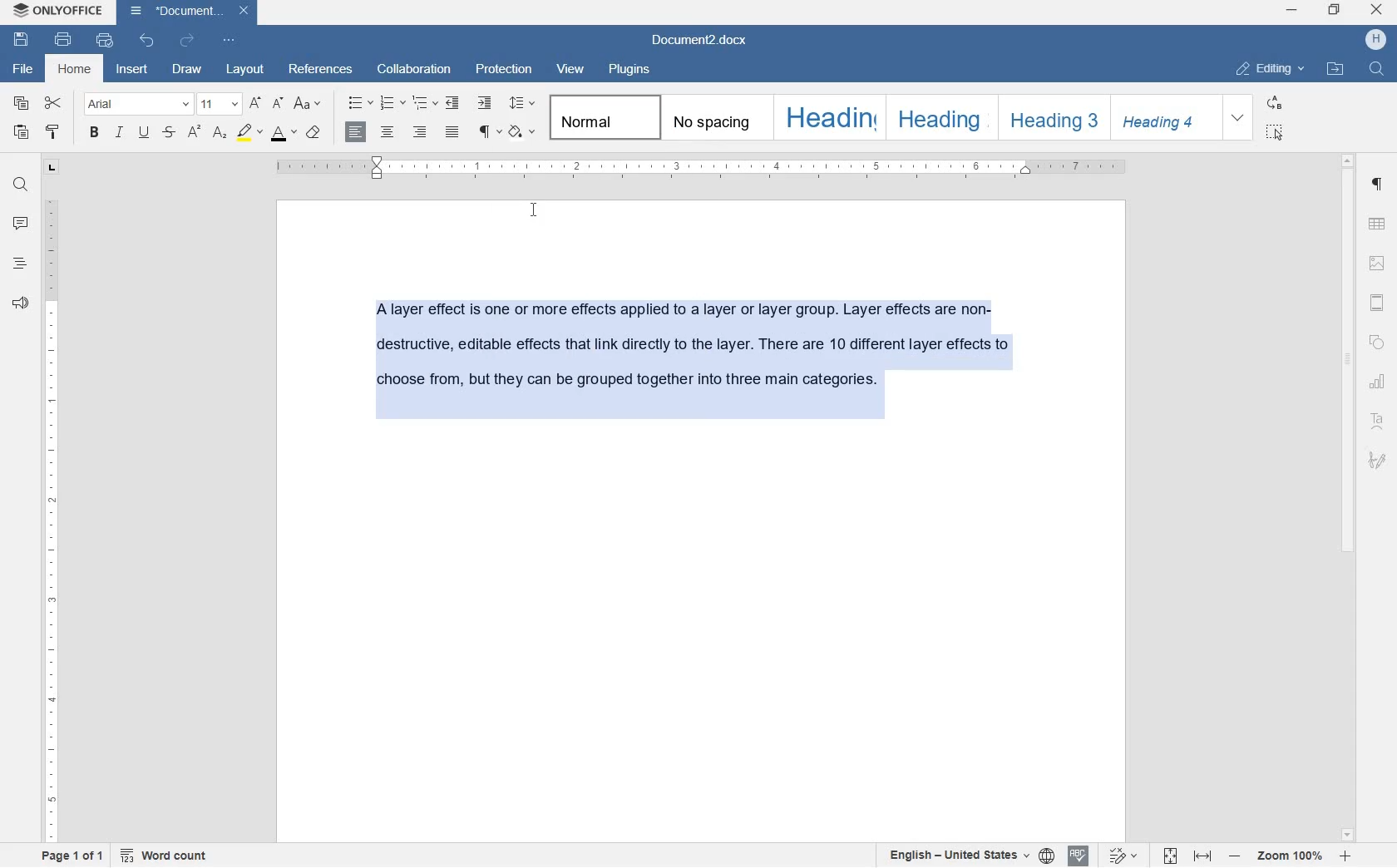 Image resolution: width=1397 pixels, height=868 pixels. Describe the element at coordinates (57, 12) in the screenshot. I see `system name` at that location.